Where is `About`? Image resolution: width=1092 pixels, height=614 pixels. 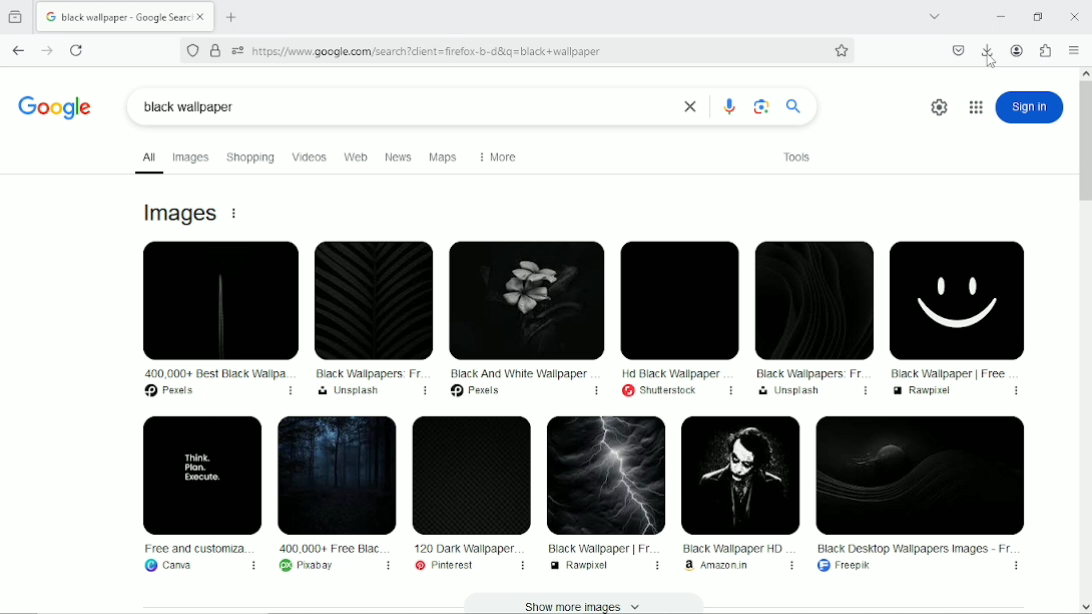
About is located at coordinates (236, 214).